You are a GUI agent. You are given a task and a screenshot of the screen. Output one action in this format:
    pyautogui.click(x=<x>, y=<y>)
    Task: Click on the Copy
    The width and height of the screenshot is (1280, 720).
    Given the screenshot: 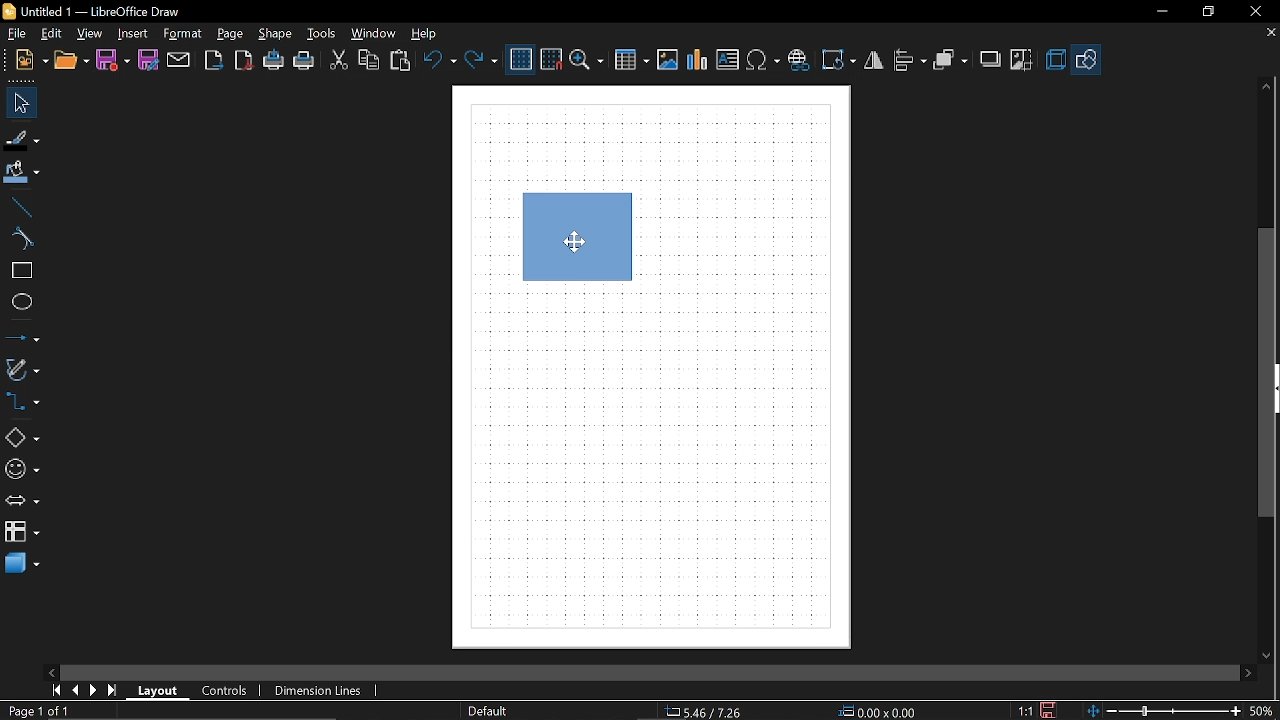 What is the action you would take?
    pyautogui.click(x=370, y=60)
    